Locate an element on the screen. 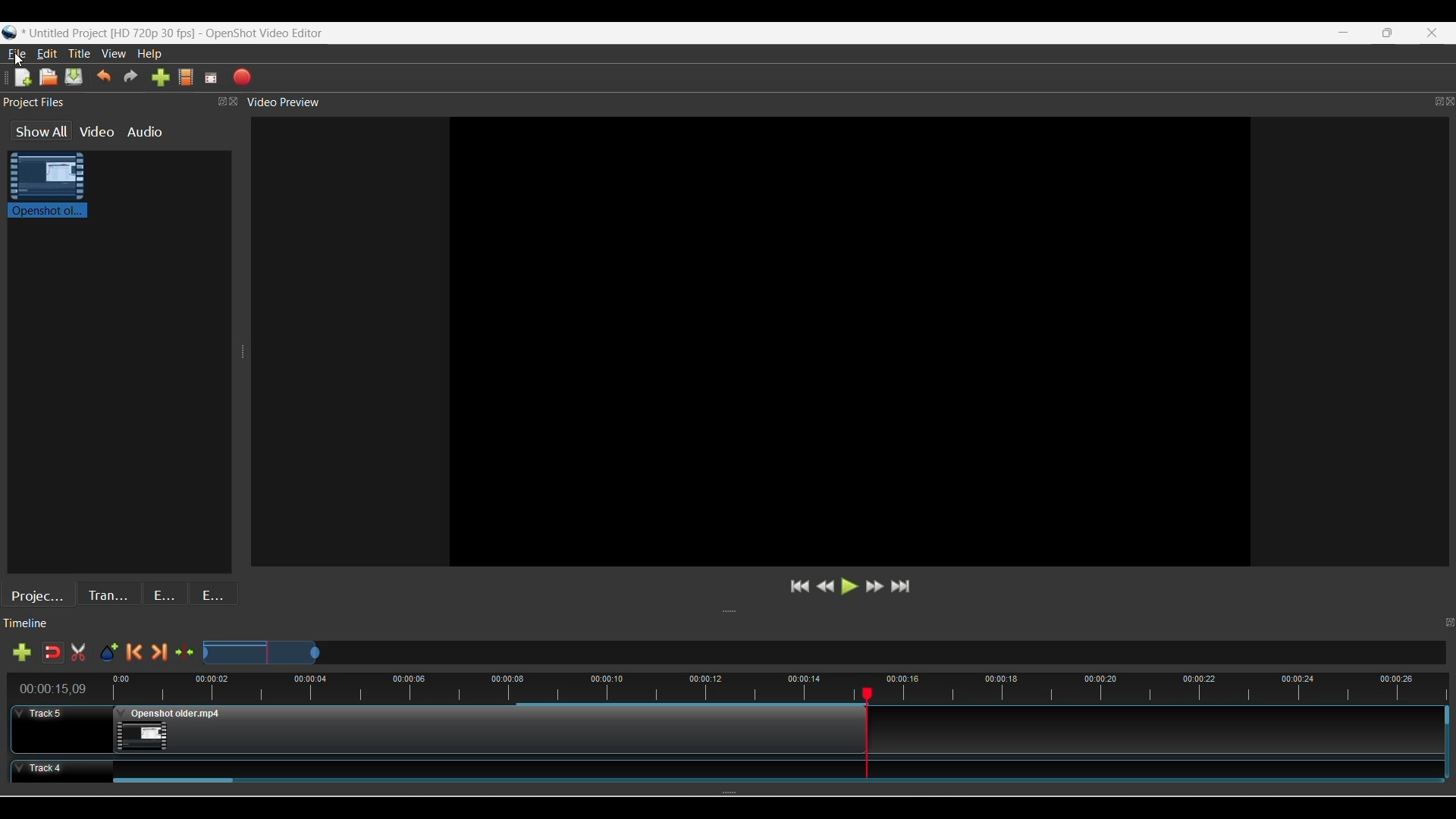 The image size is (1456, 819). Current timestamp of playhead is located at coordinates (54, 689).